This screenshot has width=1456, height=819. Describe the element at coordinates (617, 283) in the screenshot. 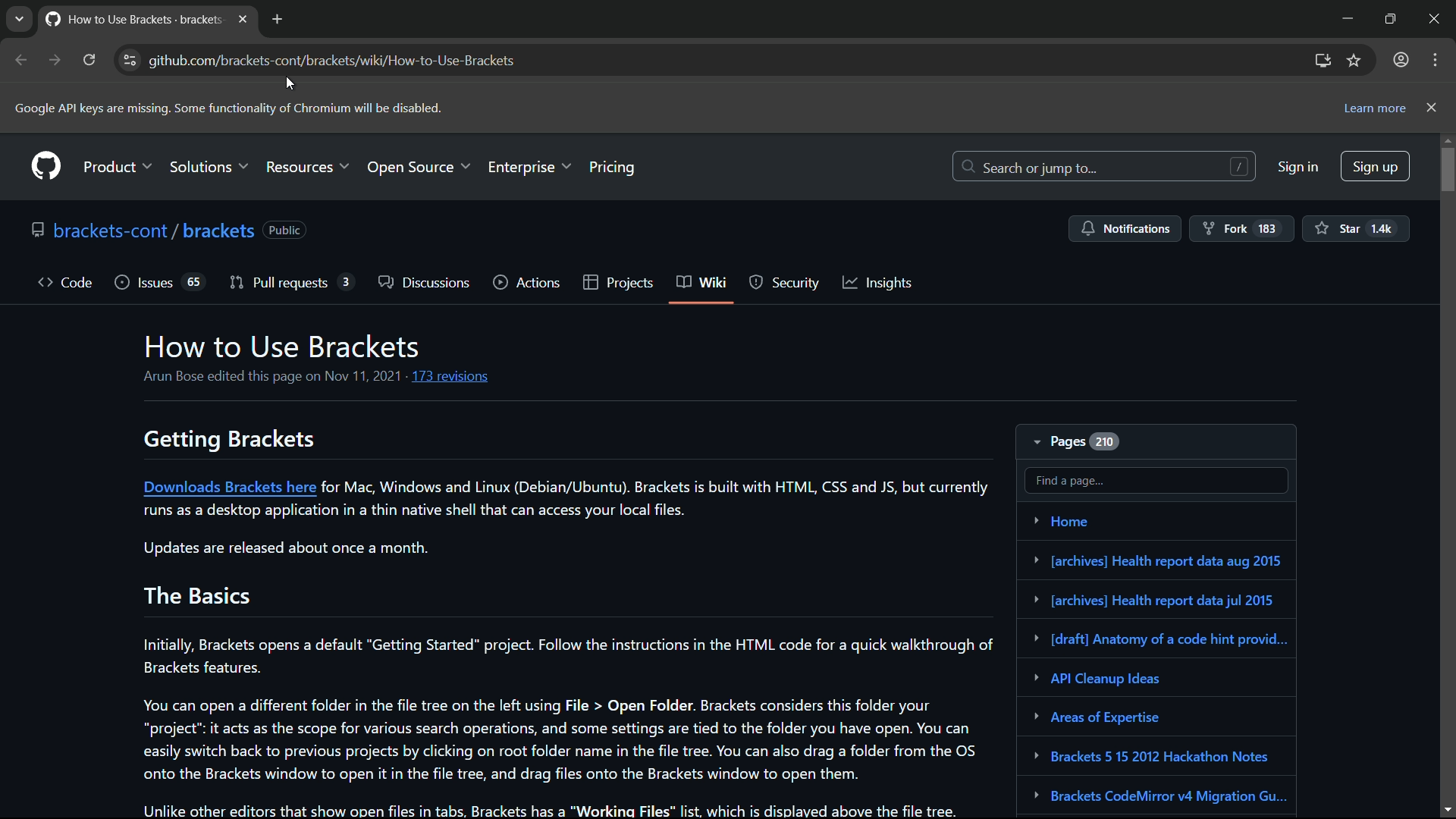

I see `projects` at that location.